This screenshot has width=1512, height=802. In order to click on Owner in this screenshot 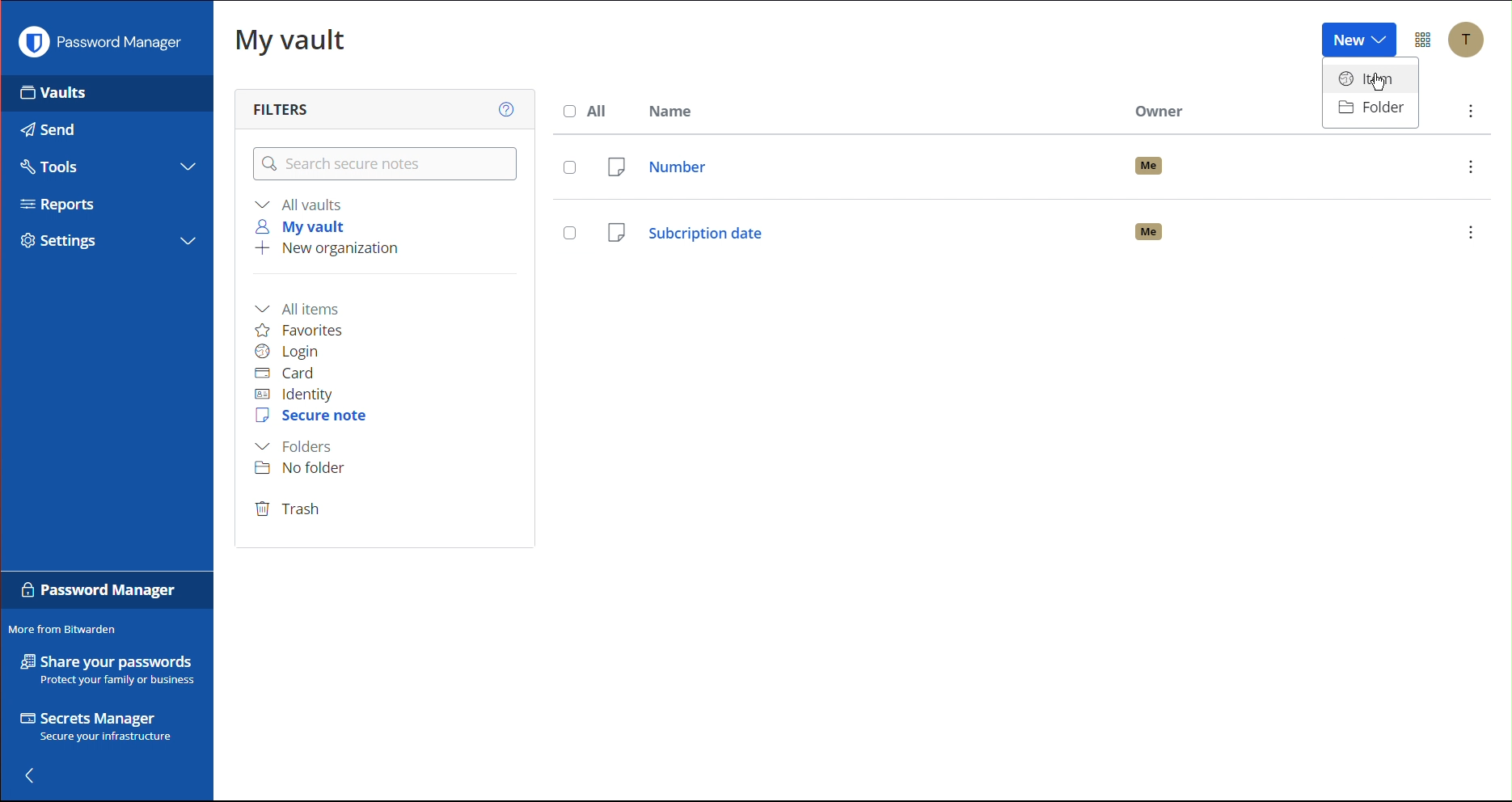, I will do `click(1162, 112)`.